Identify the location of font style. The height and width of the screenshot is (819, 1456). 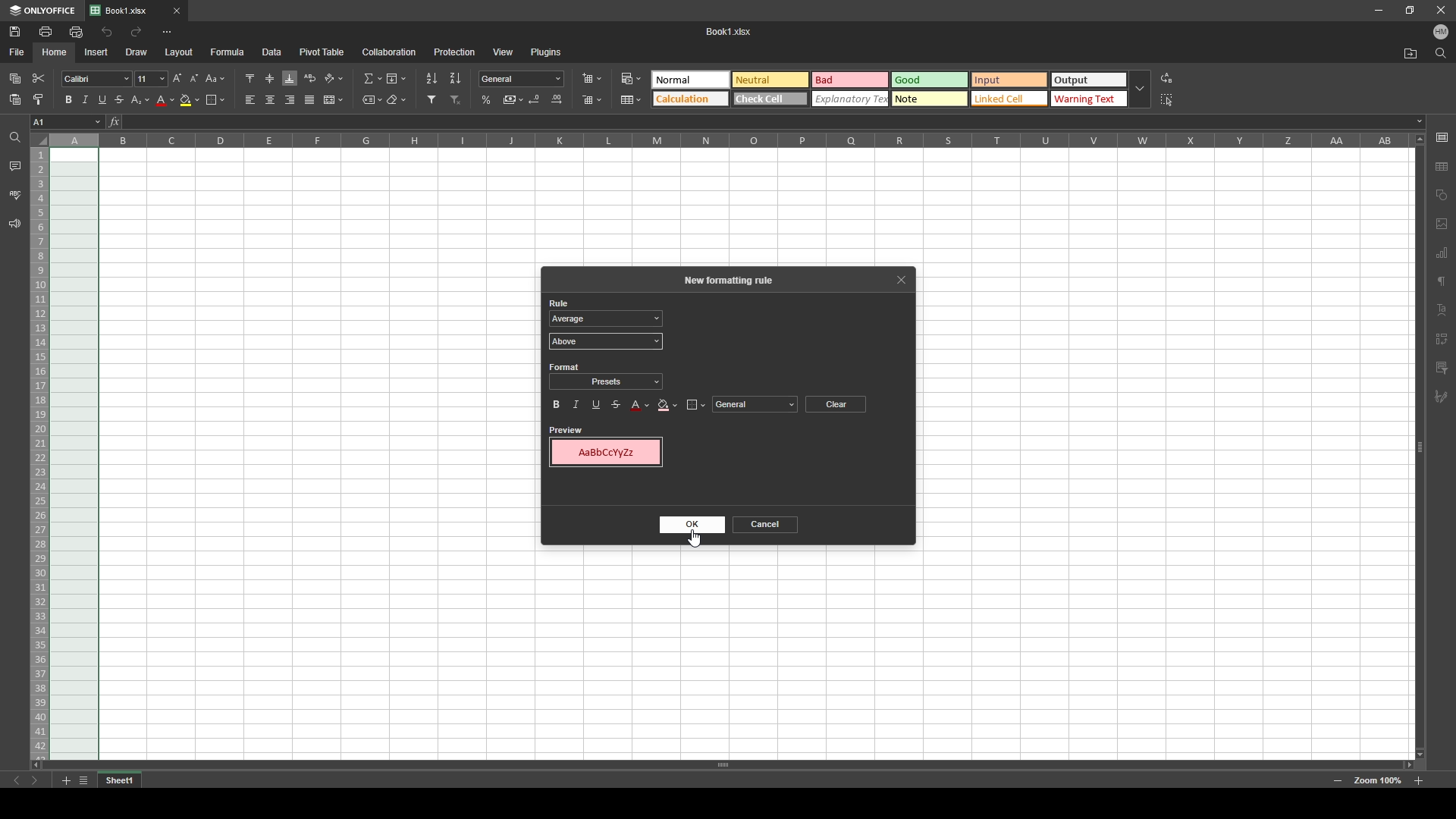
(96, 80).